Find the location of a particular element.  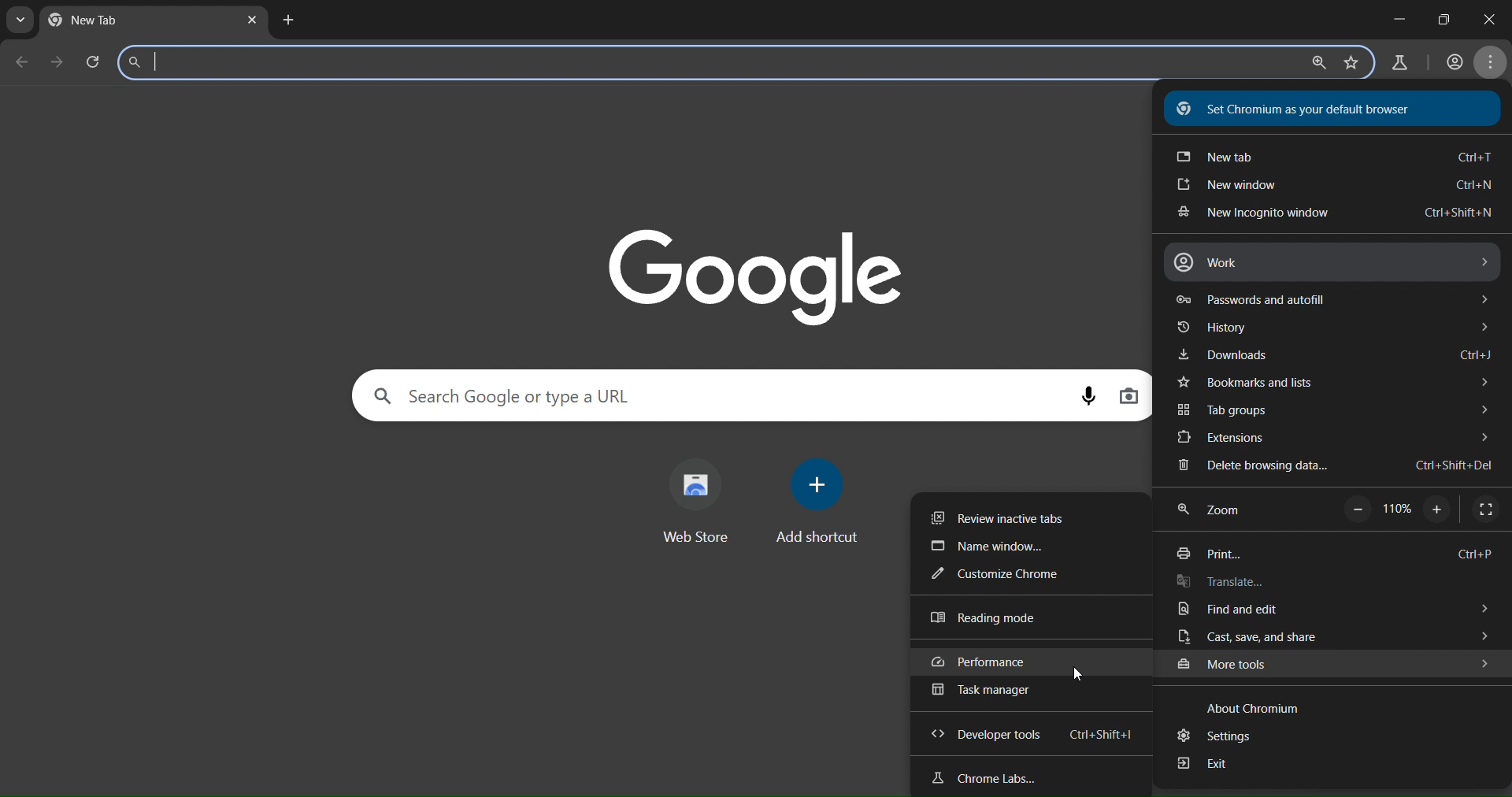

new tab is located at coordinates (288, 21).